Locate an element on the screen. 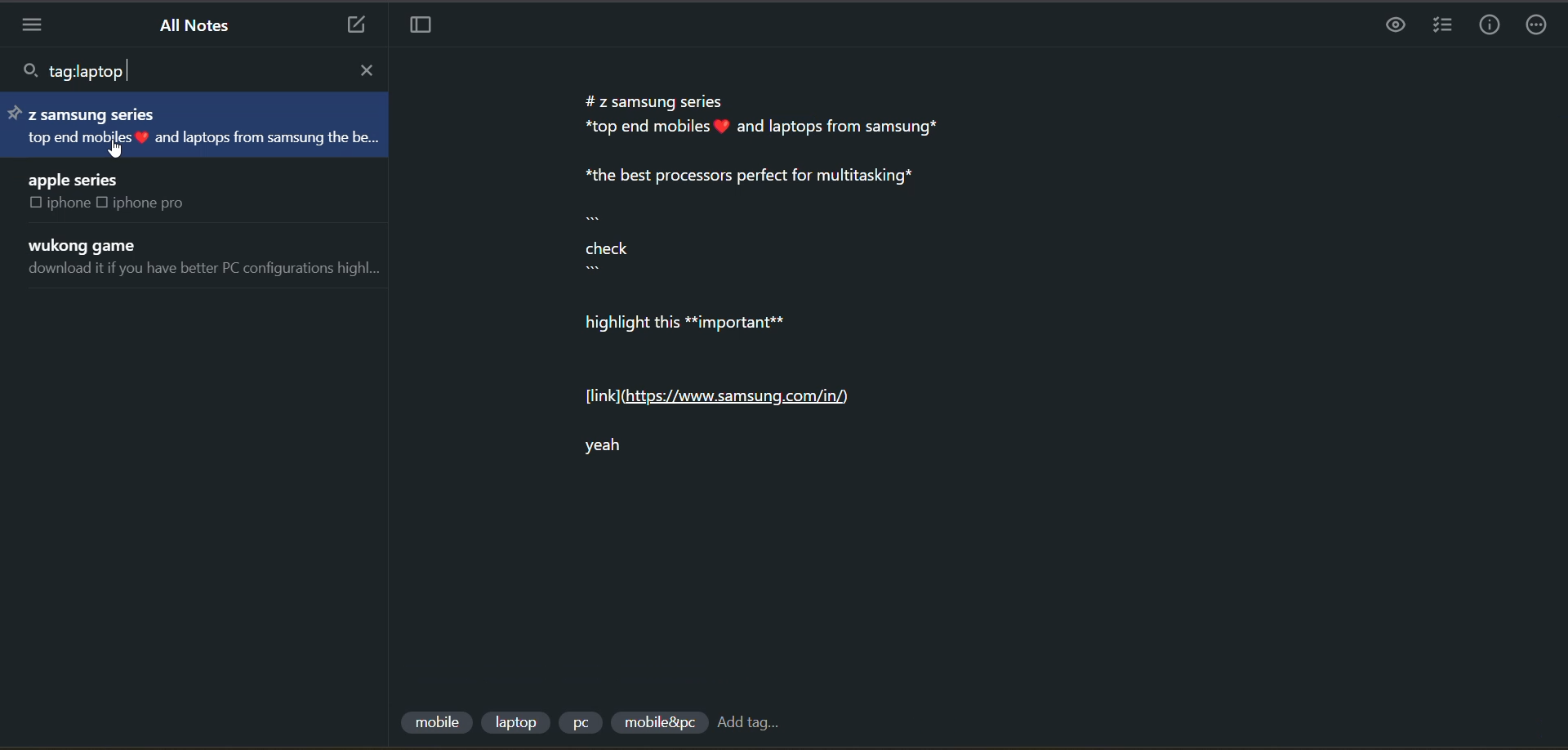 Image resolution: width=1568 pixels, height=750 pixels. [link] (https://www.samsung.com/in/ is located at coordinates (737, 392).